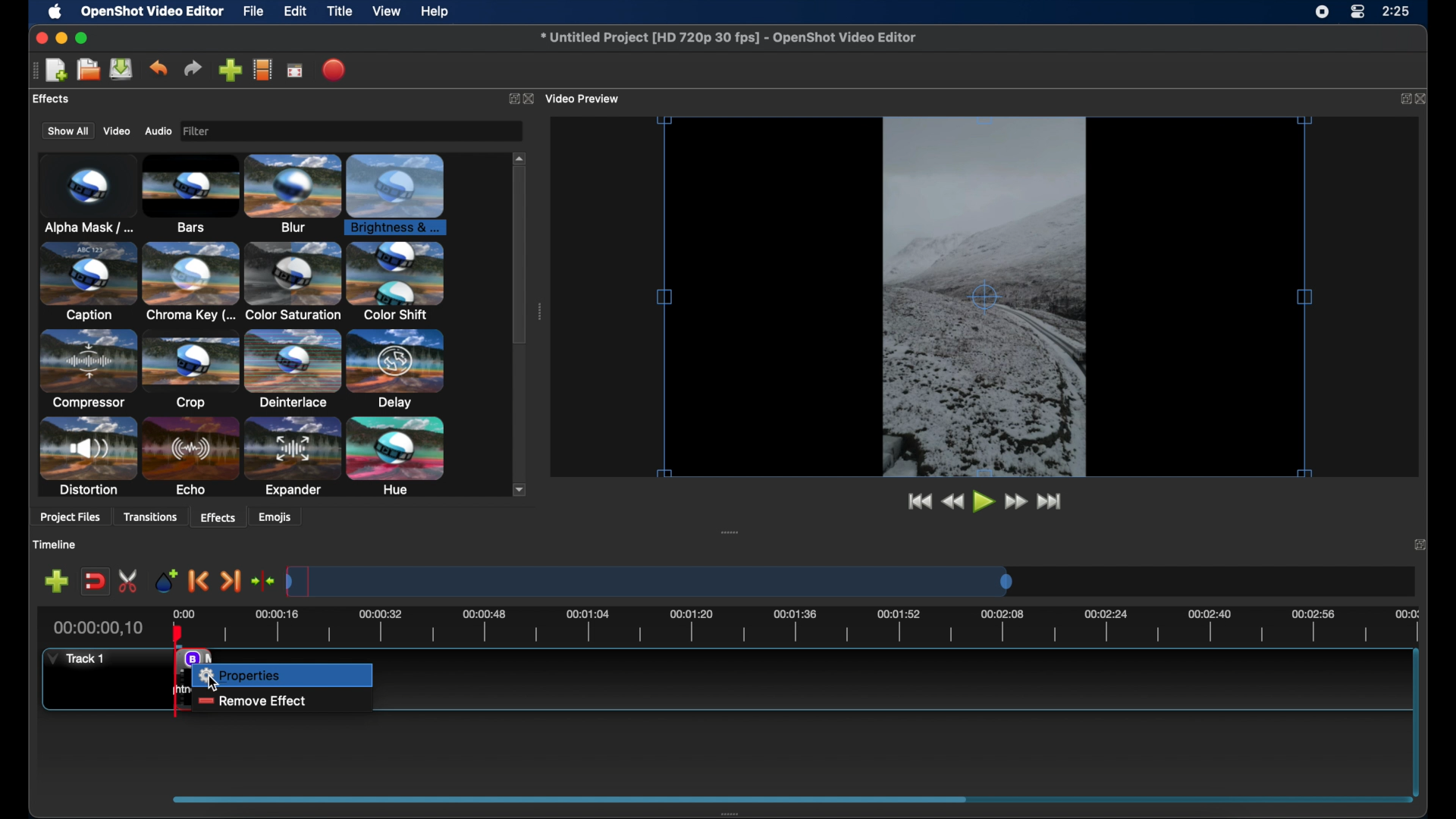  What do you see at coordinates (191, 369) in the screenshot?
I see `crop` at bounding box center [191, 369].